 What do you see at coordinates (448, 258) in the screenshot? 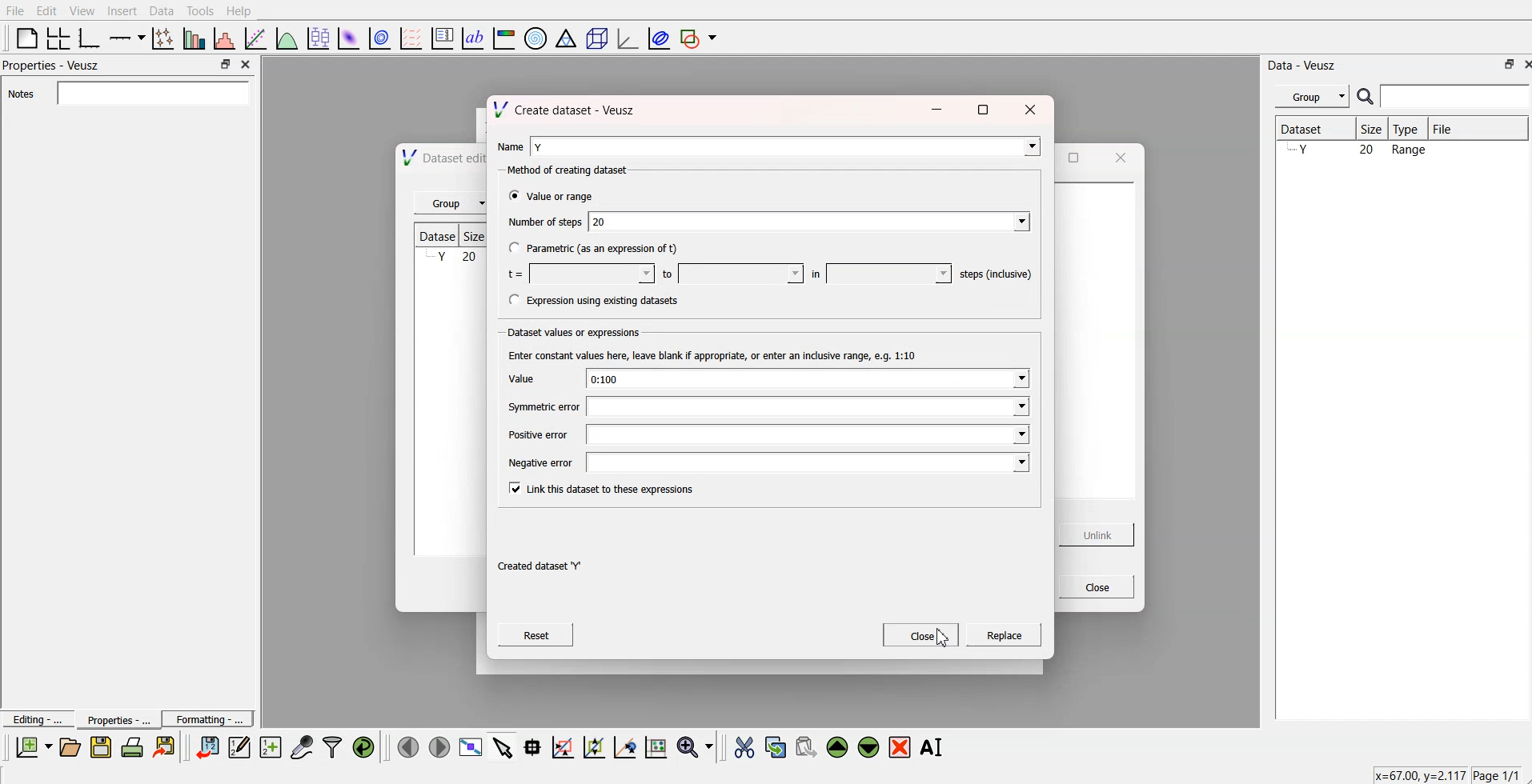
I see `y 20` at bounding box center [448, 258].